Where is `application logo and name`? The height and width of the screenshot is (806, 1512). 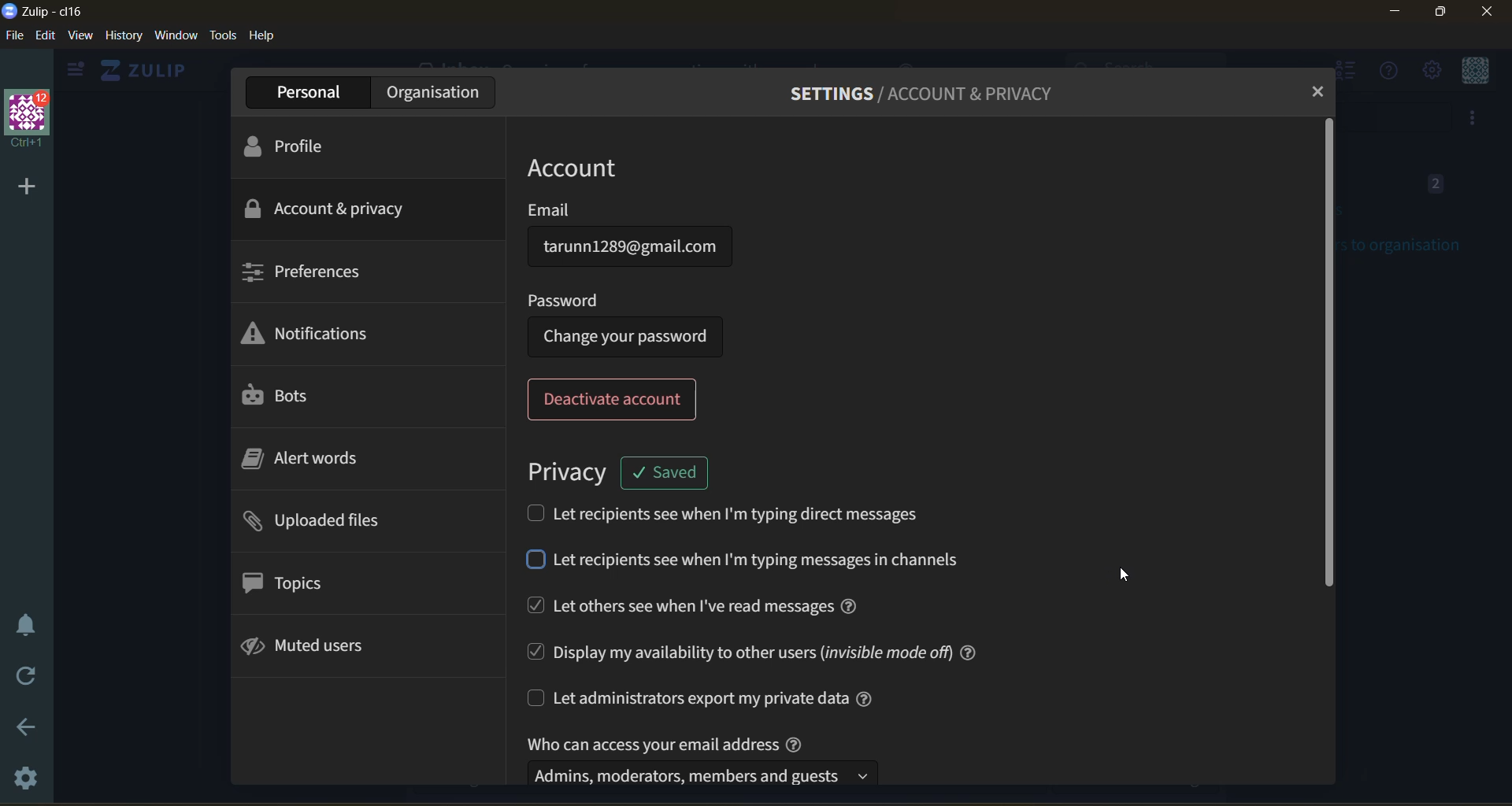 application logo and name is located at coordinates (47, 10).